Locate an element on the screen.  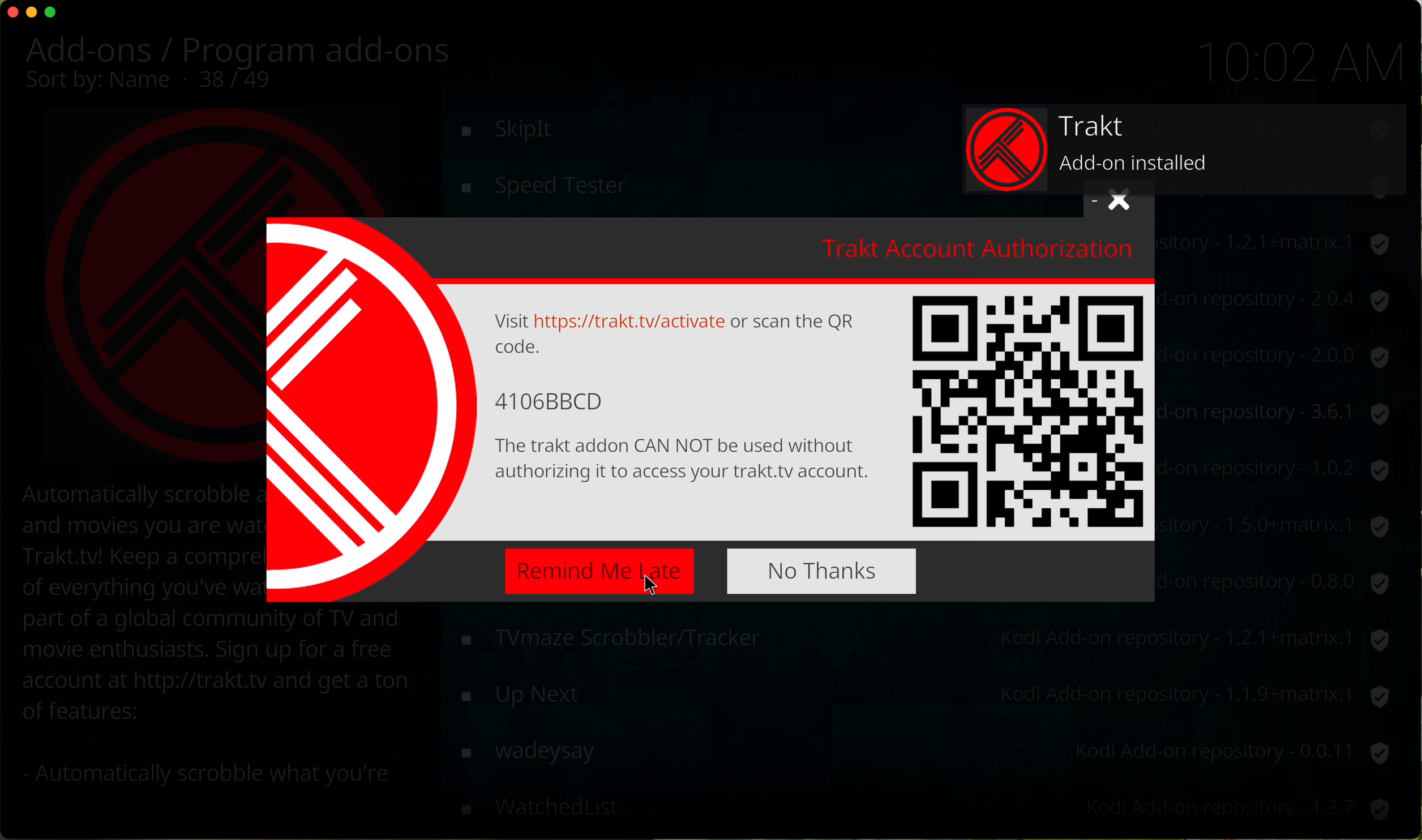
minimize is located at coordinates (32, 16).